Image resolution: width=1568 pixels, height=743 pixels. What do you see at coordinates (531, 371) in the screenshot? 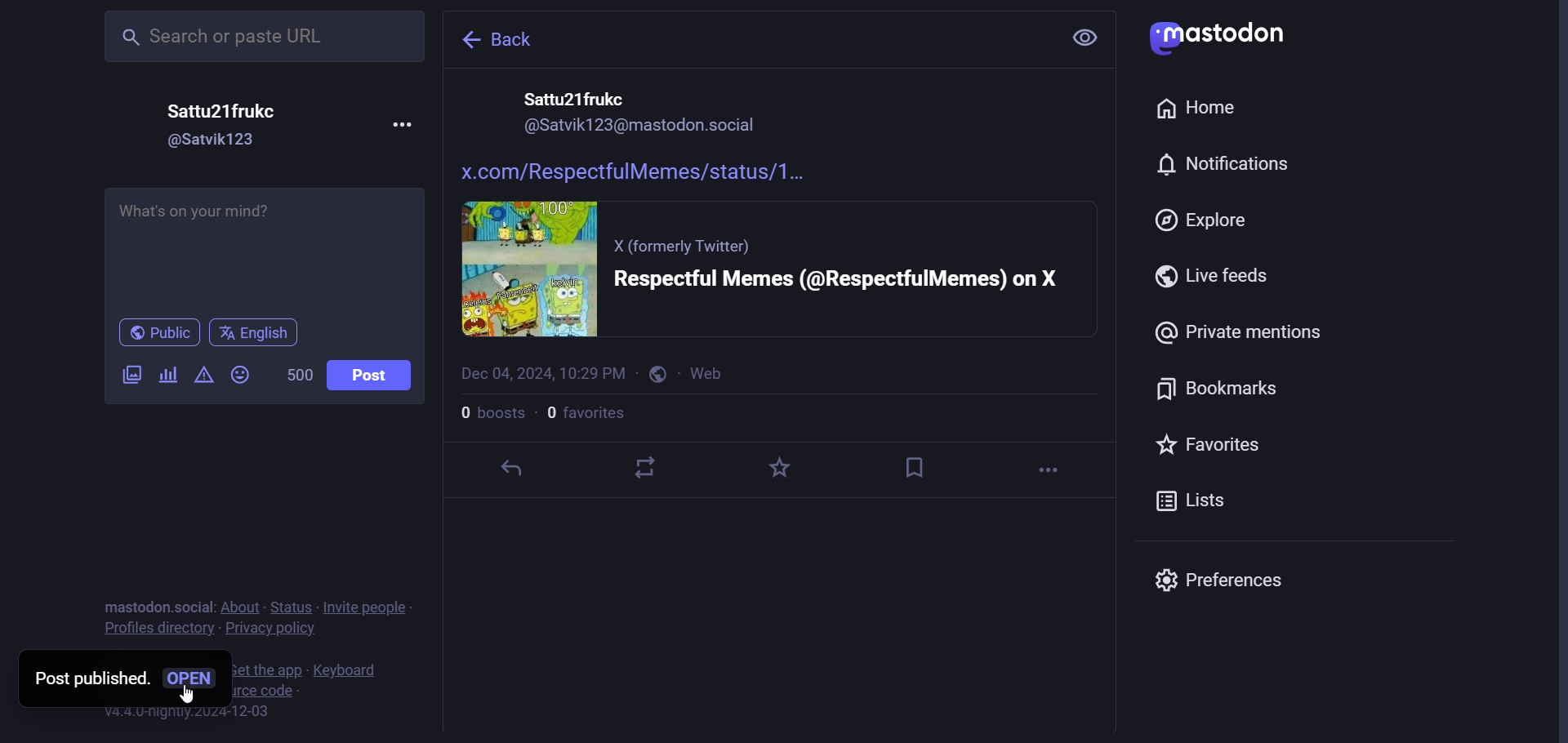
I see `date and time` at bounding box center [531, 371].